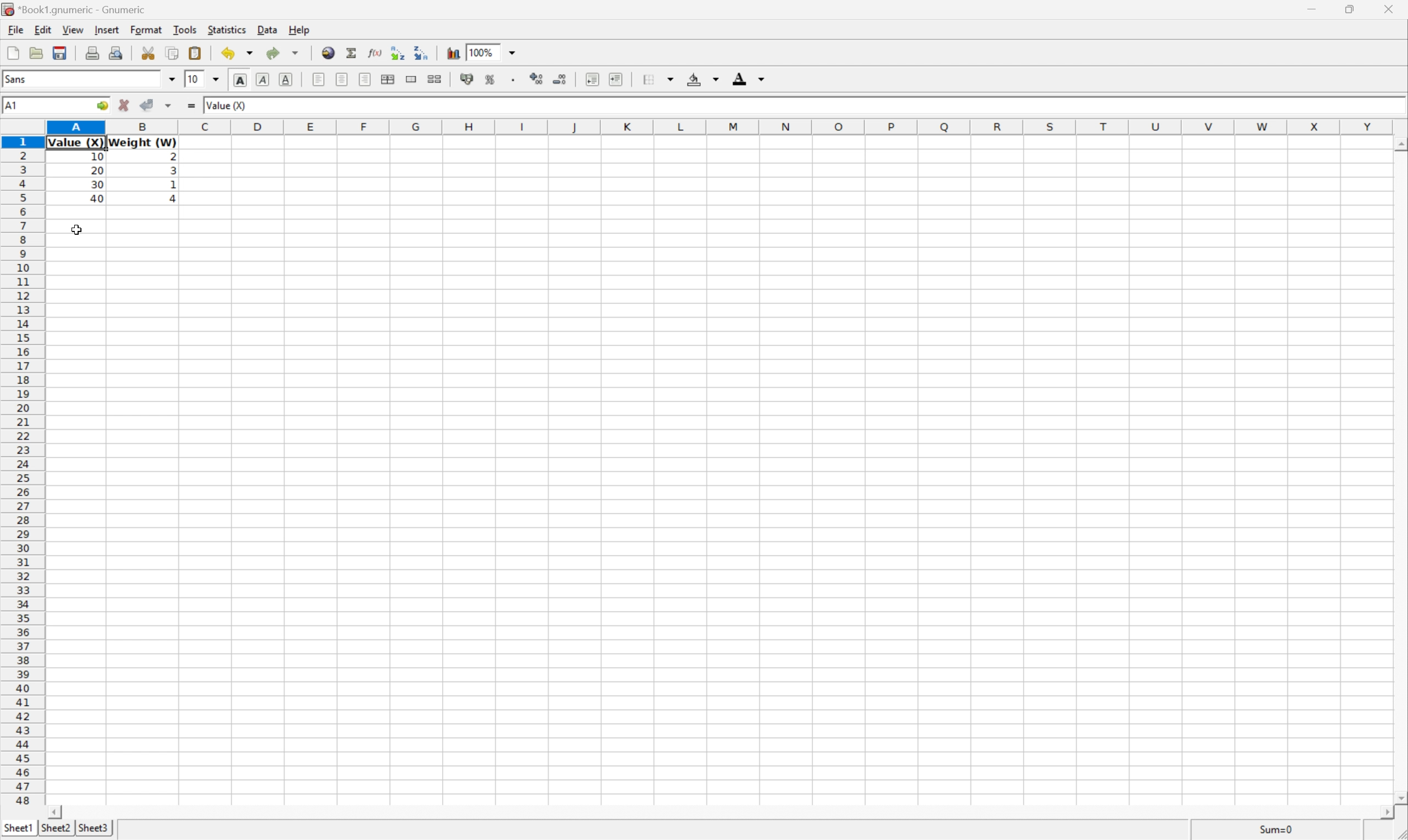  Describe the element at coordinates (264, 78) in the screenshot. I see `Italic` at that location.